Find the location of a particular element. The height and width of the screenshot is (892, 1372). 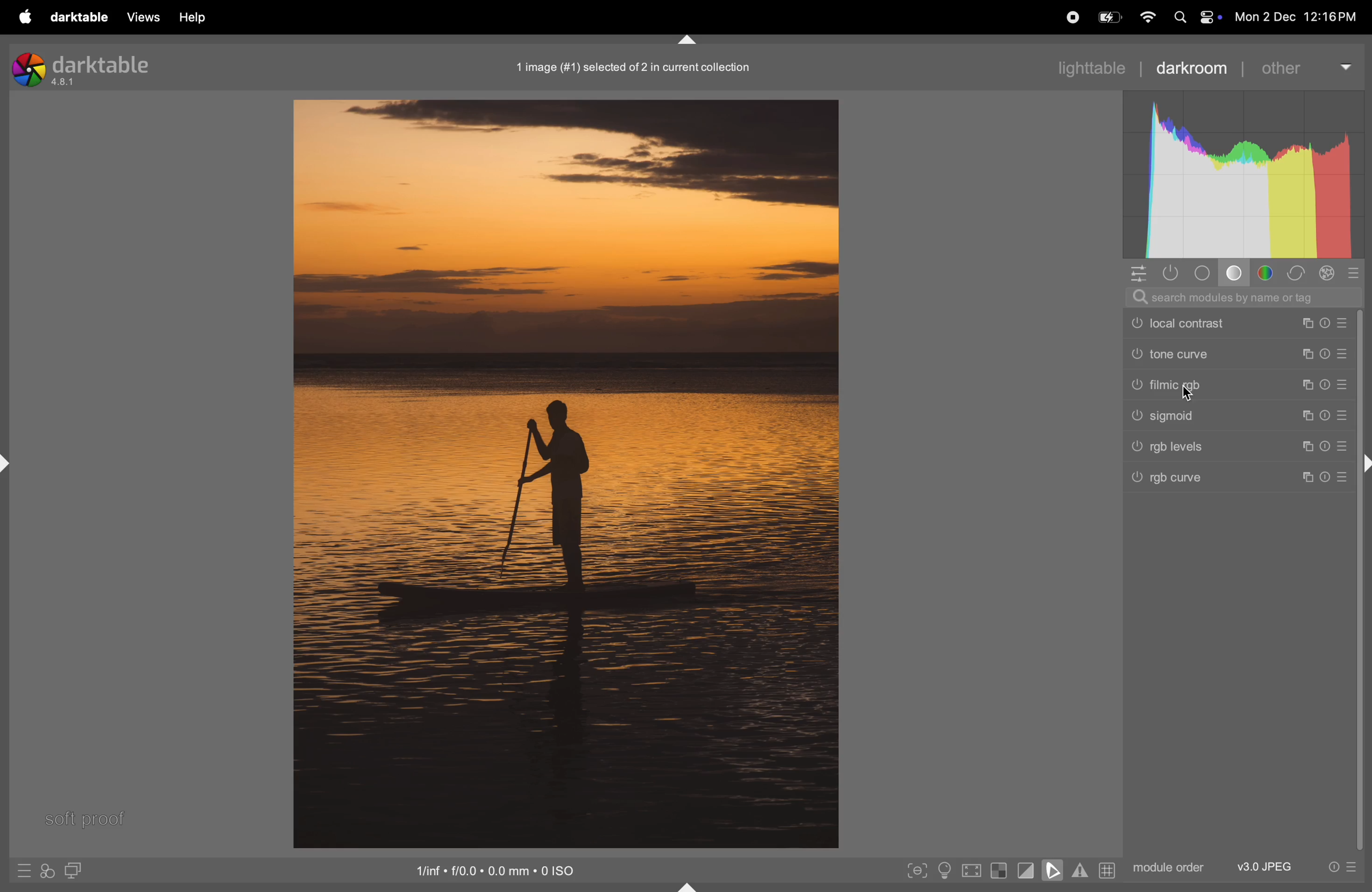

local contrast is located at coordinates (1239, 323).